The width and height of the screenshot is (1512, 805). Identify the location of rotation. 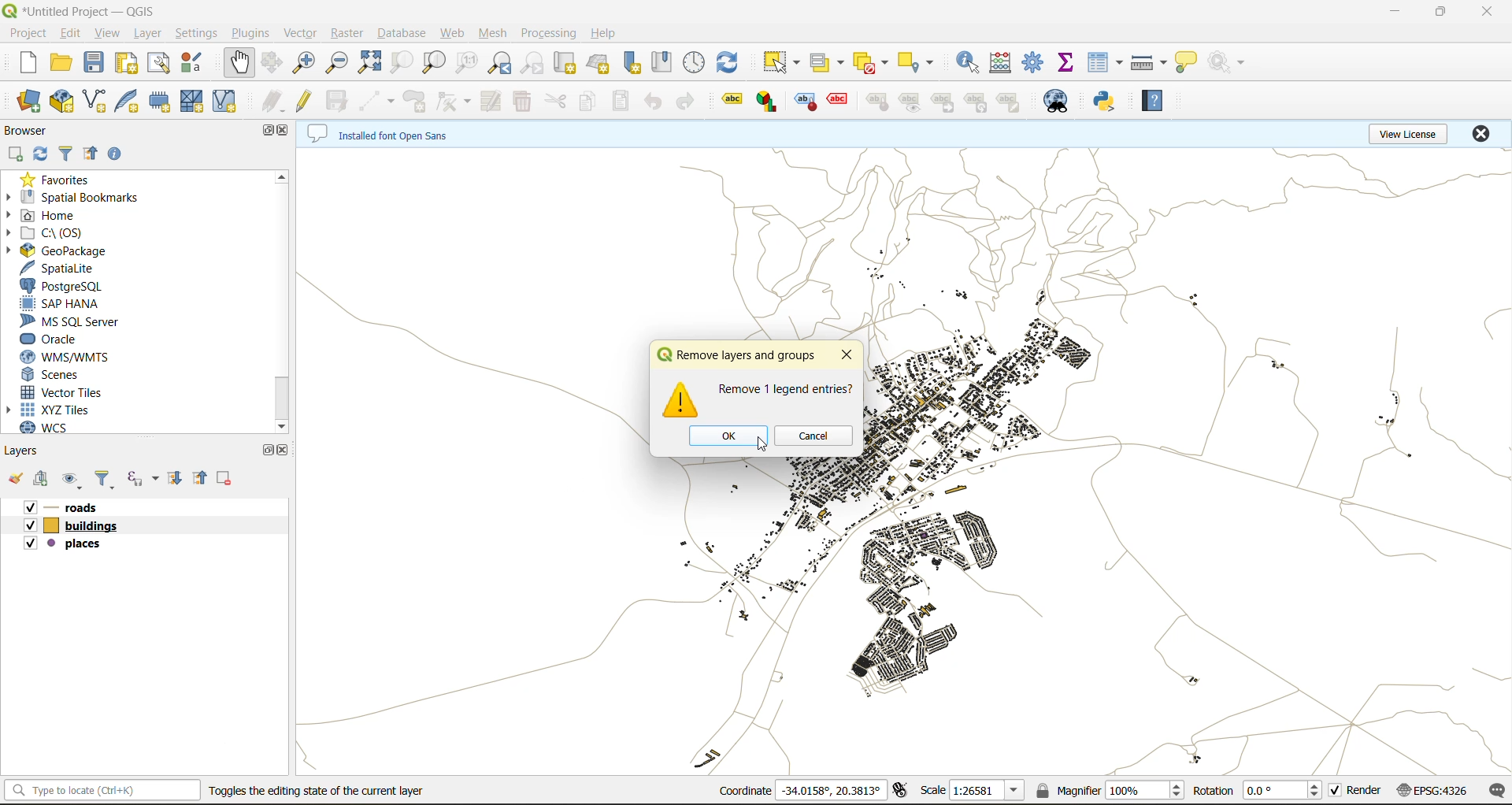
(1261, 791).